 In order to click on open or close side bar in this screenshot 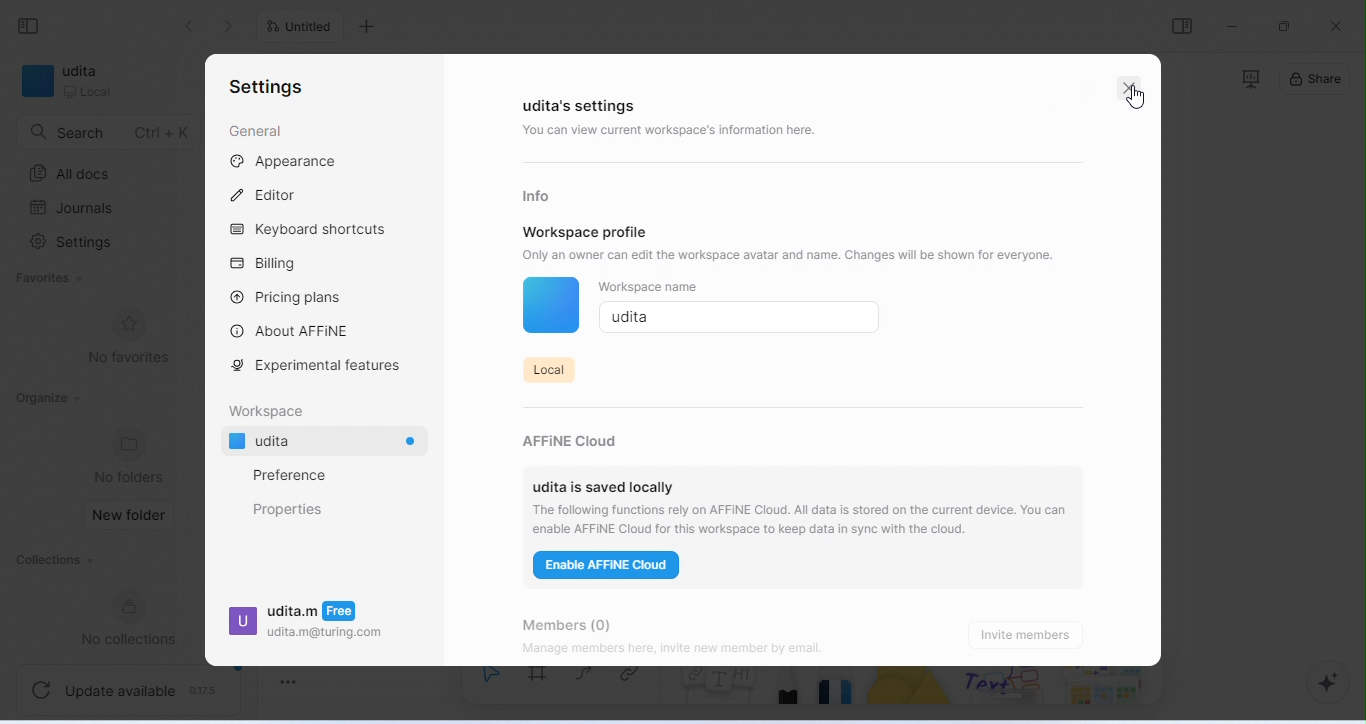, I will do `click(1182, 26)`.